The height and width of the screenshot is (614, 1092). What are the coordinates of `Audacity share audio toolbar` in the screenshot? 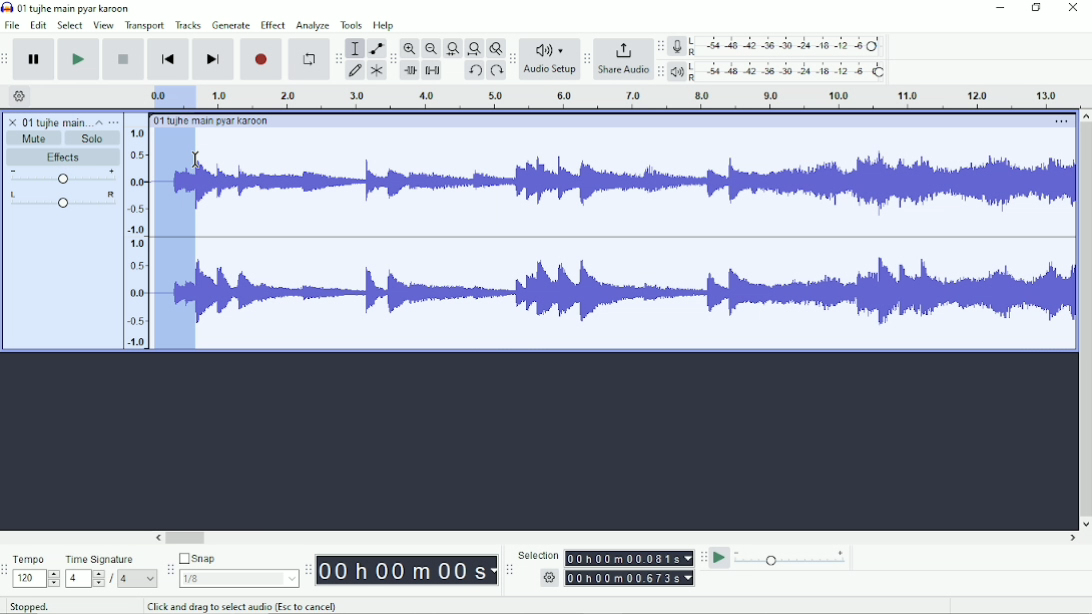 It's located at (587, 60).